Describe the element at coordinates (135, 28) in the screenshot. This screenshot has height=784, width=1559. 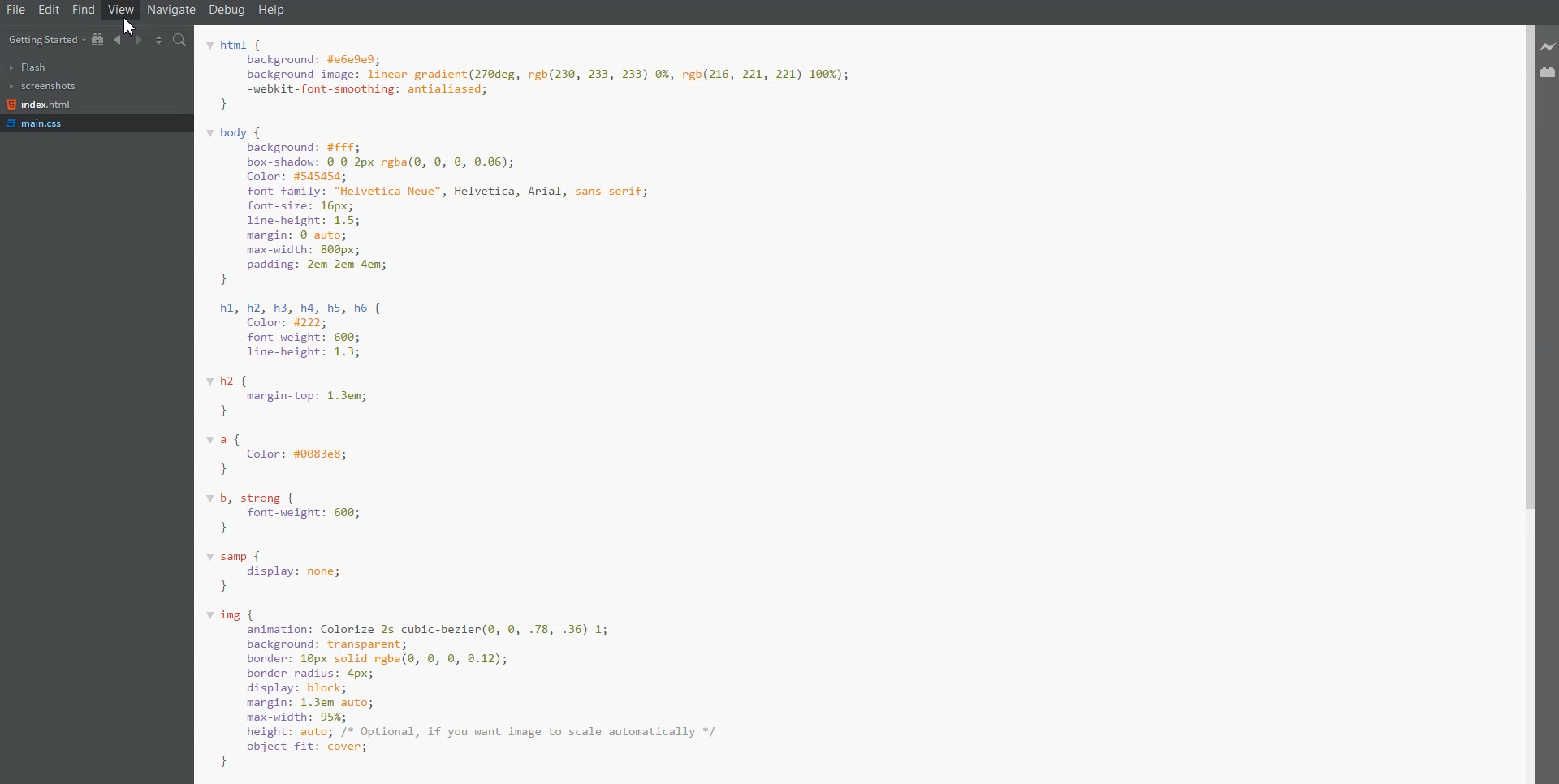
I see `Cursor` at that location.